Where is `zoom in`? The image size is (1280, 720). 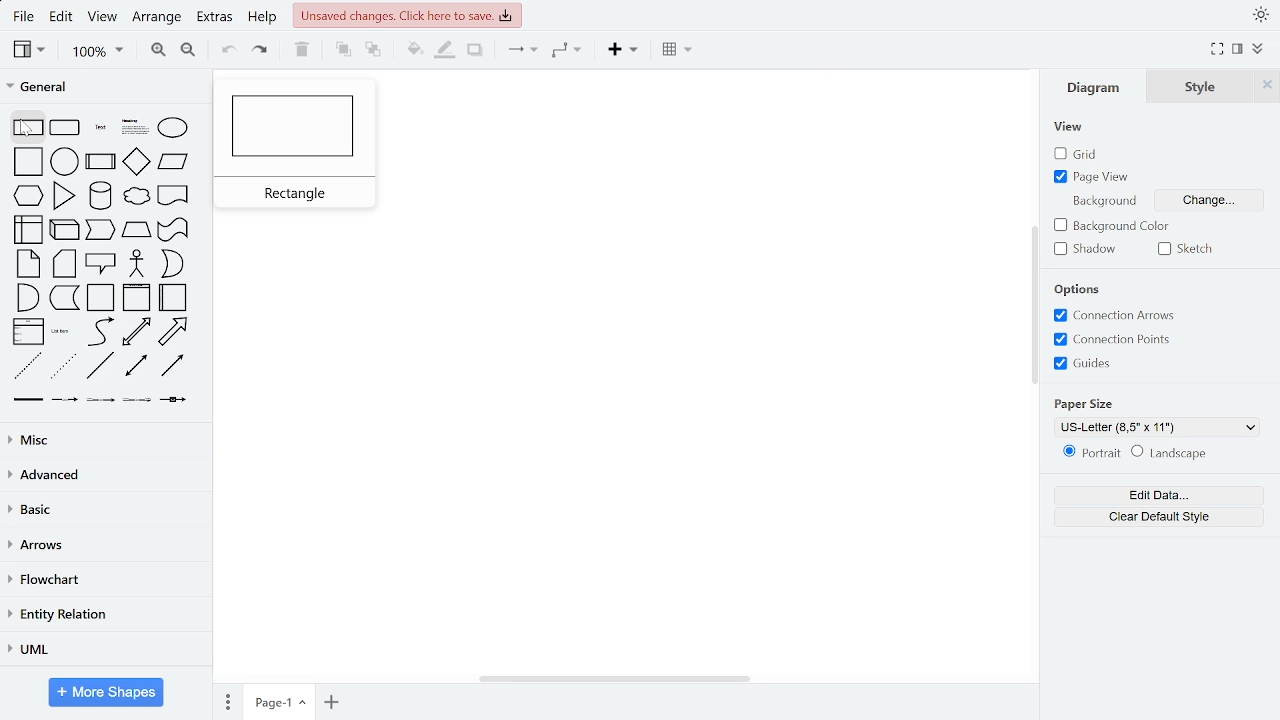 zoom in is located at coordinates (155, 52).